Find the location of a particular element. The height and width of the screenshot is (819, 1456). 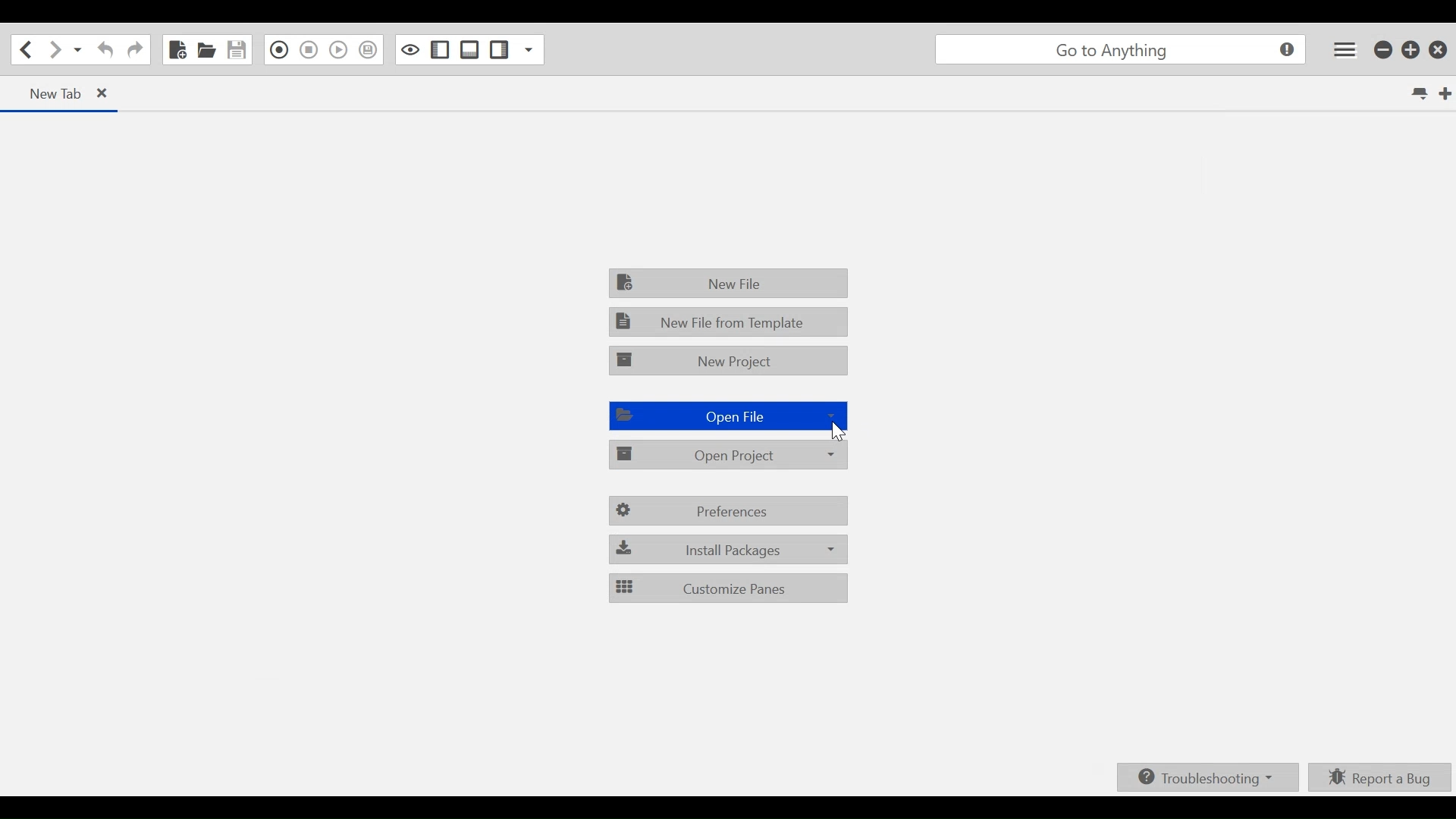

New Project is located at coordinates (730, 361).